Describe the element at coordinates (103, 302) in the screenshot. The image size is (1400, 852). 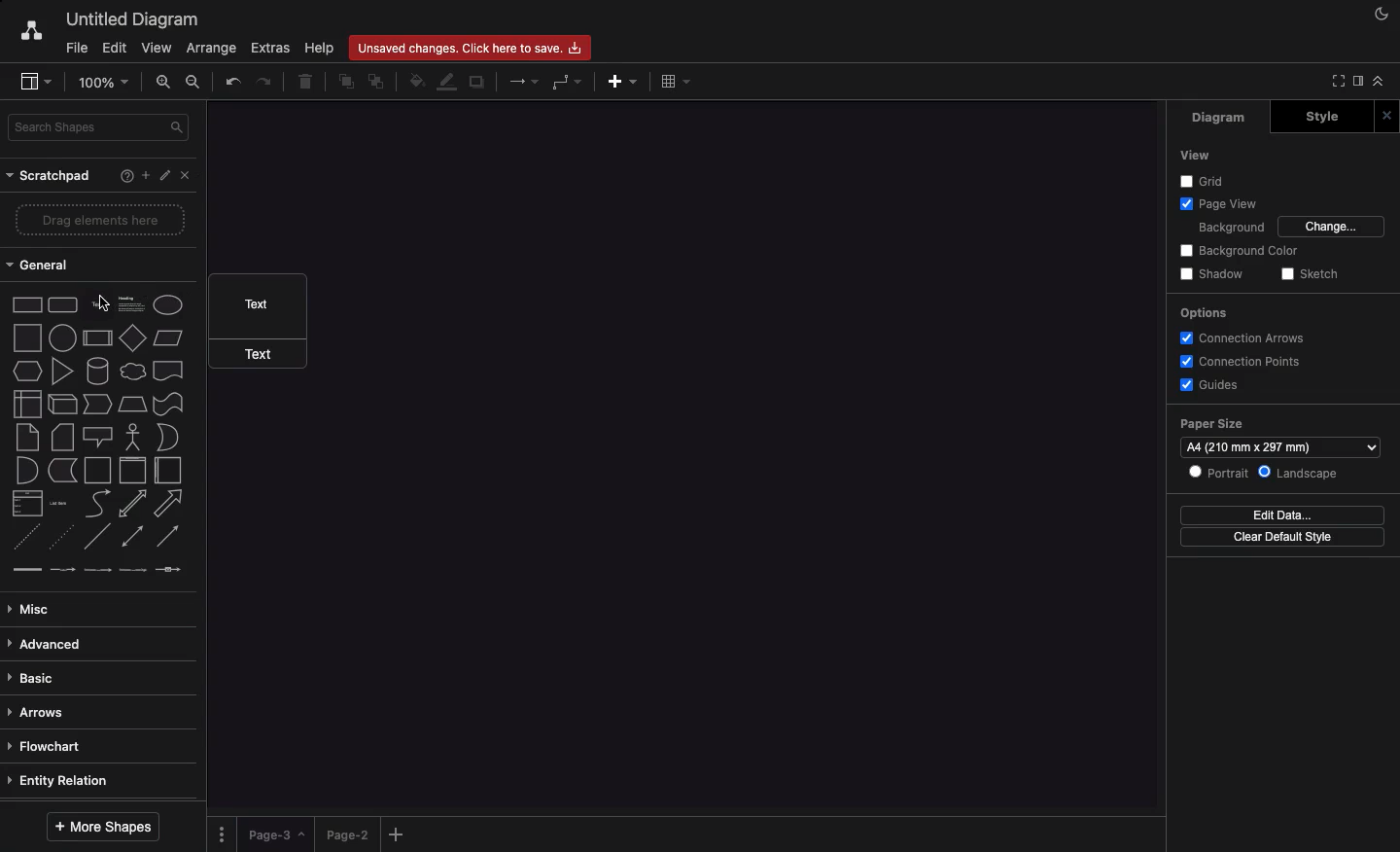
I see `cursor` at that location.